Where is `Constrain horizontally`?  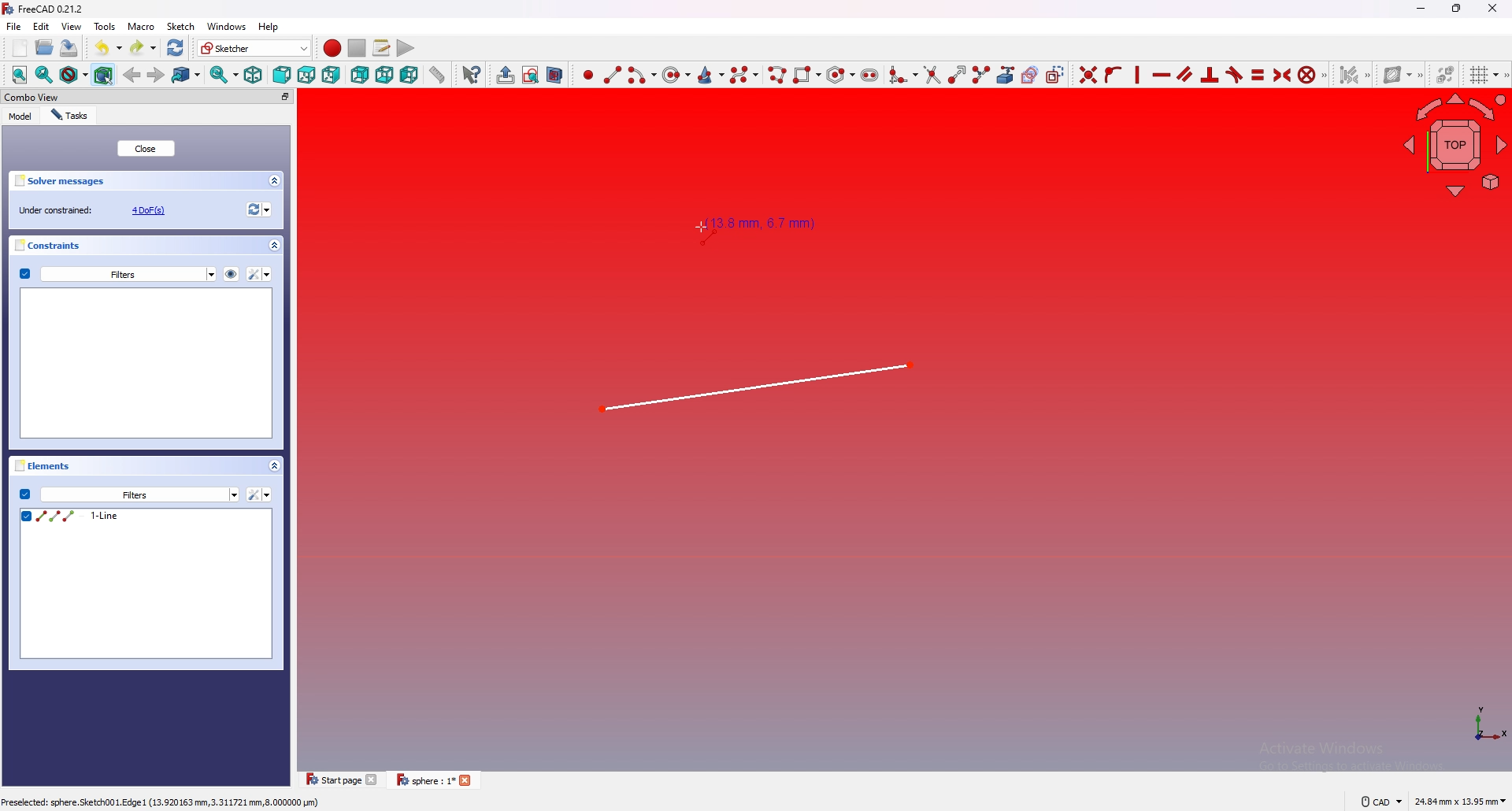 Constrain horizontally is located at coordinates (1161, 75).